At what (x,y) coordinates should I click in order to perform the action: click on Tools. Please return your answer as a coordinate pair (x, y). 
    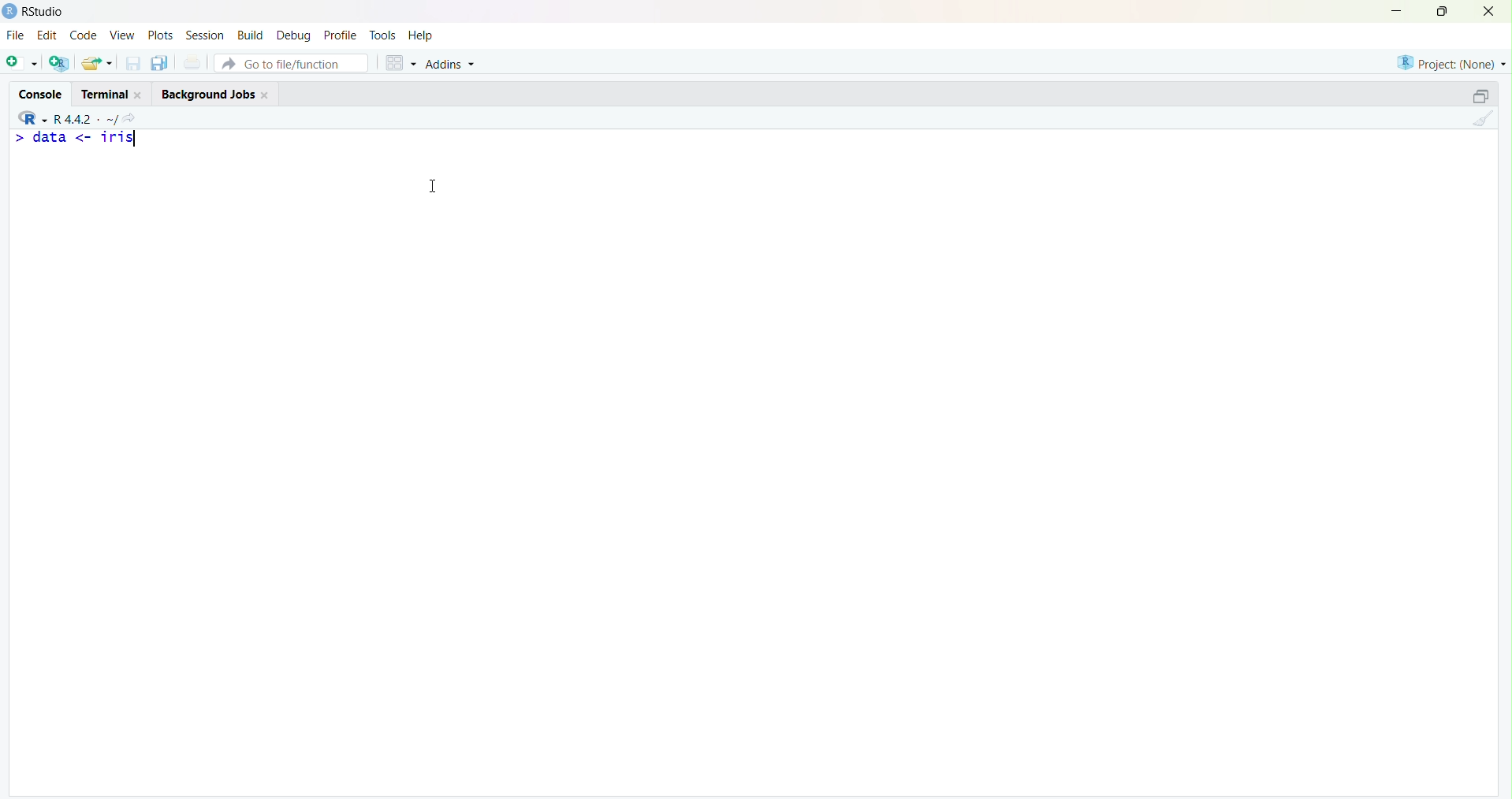
    Looking at the image, I should click on (382, 34).